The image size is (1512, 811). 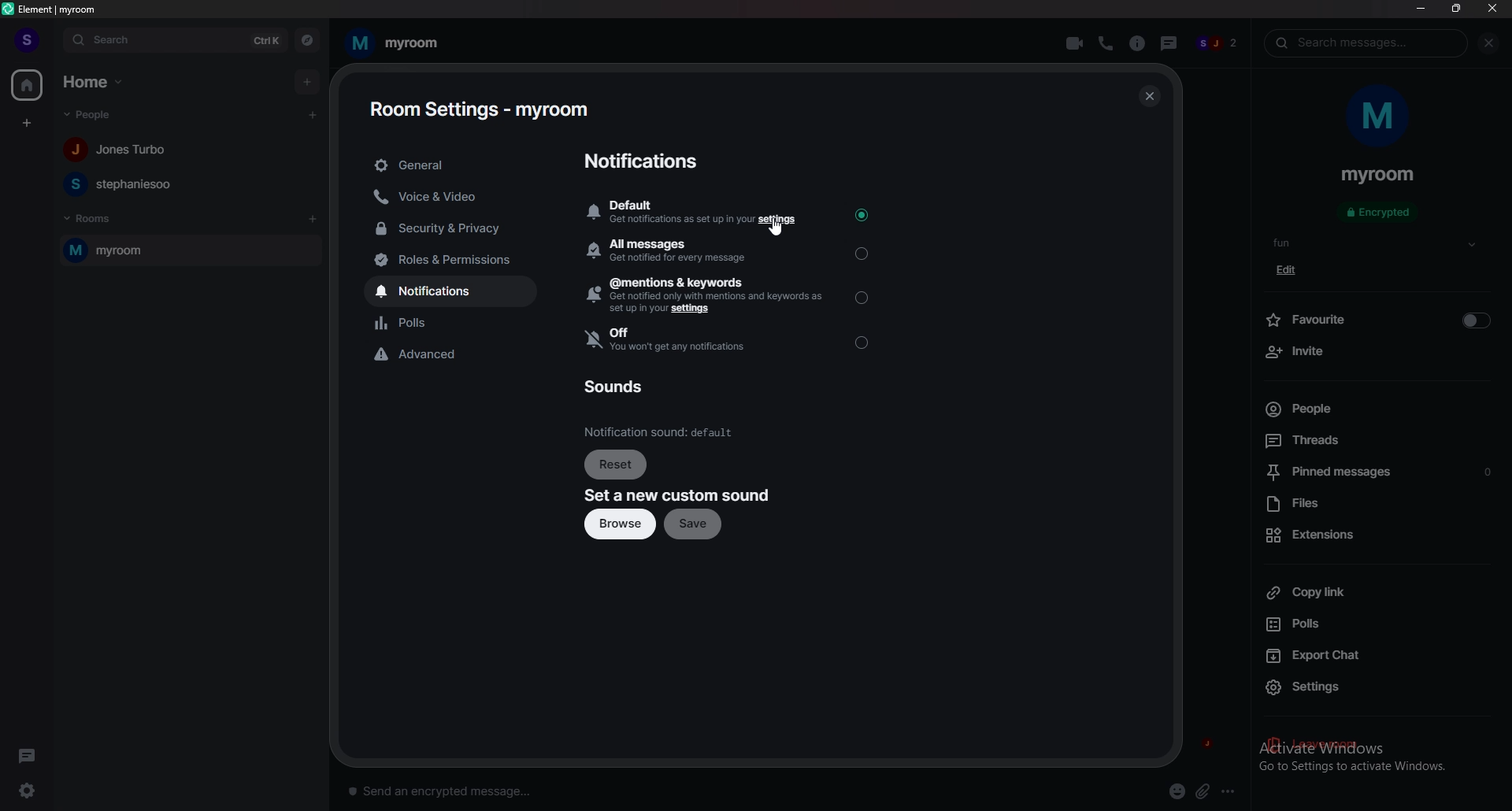 What do you see at coordinates (33, 790) in the screenshot?
I see `settings` at bounding box center [33, 790].